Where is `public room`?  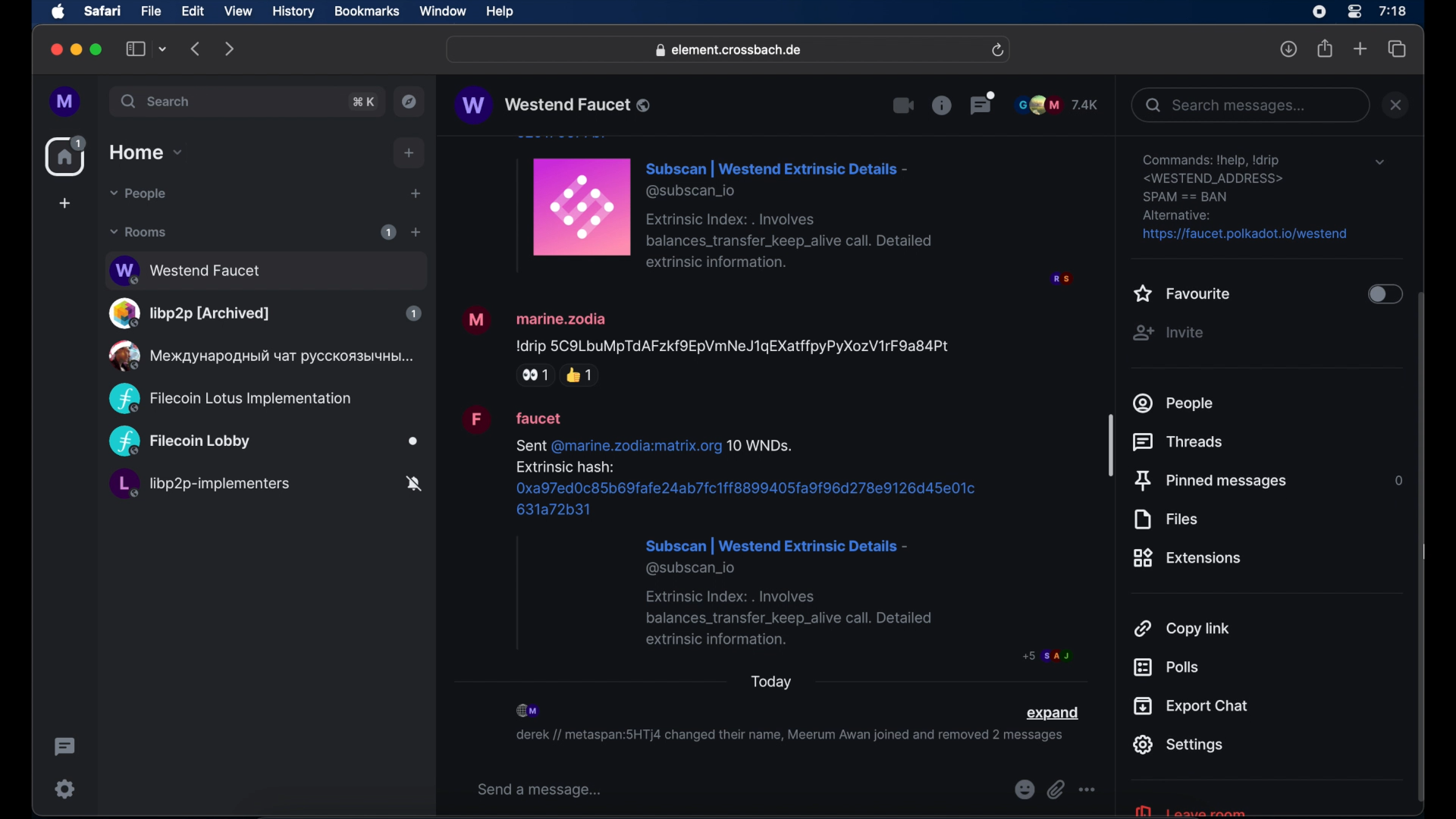
public room is located at coordinates (265, 268).